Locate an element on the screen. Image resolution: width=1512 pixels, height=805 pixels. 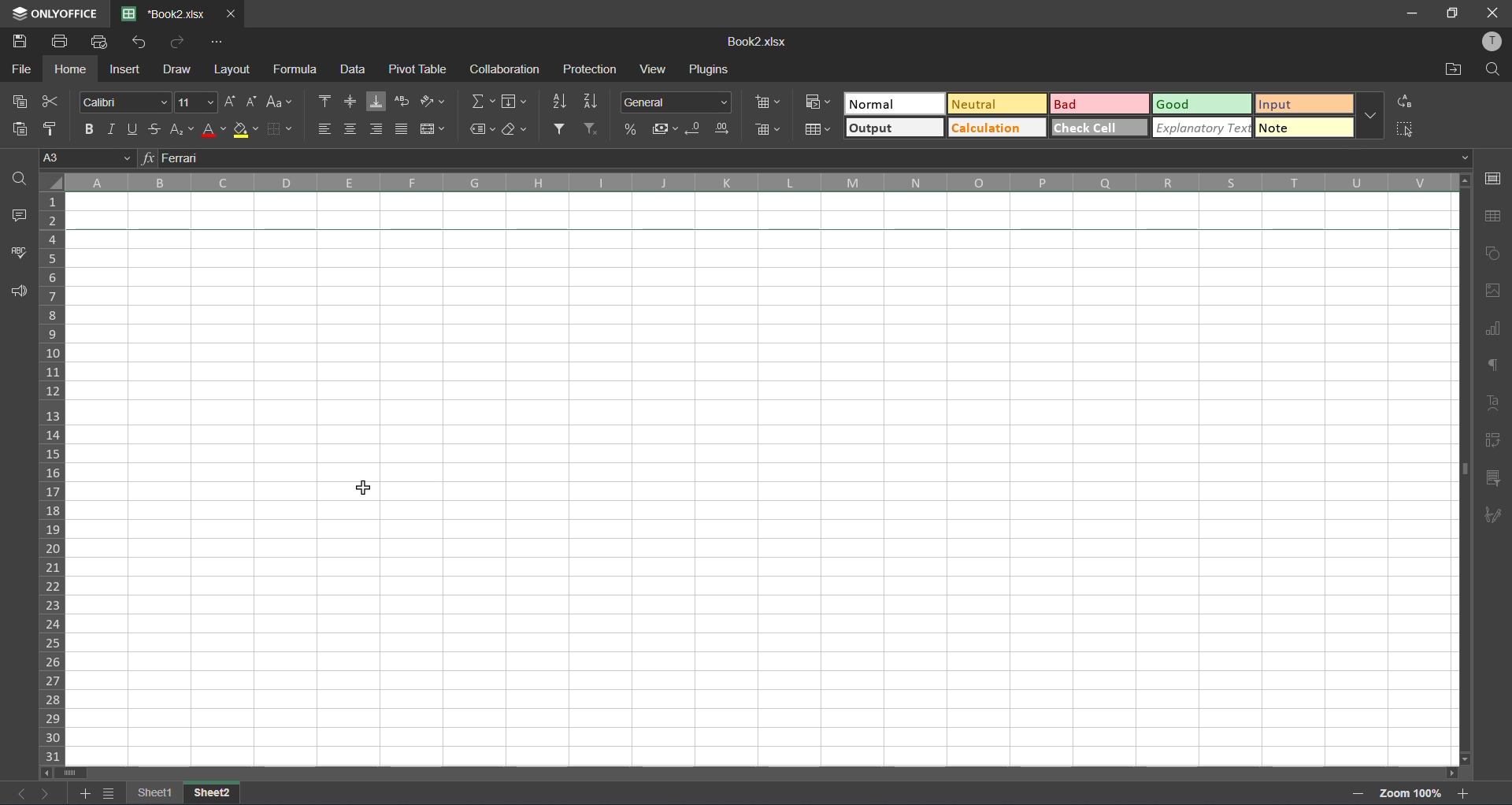
named ranges is located at coordinates (482, 131).